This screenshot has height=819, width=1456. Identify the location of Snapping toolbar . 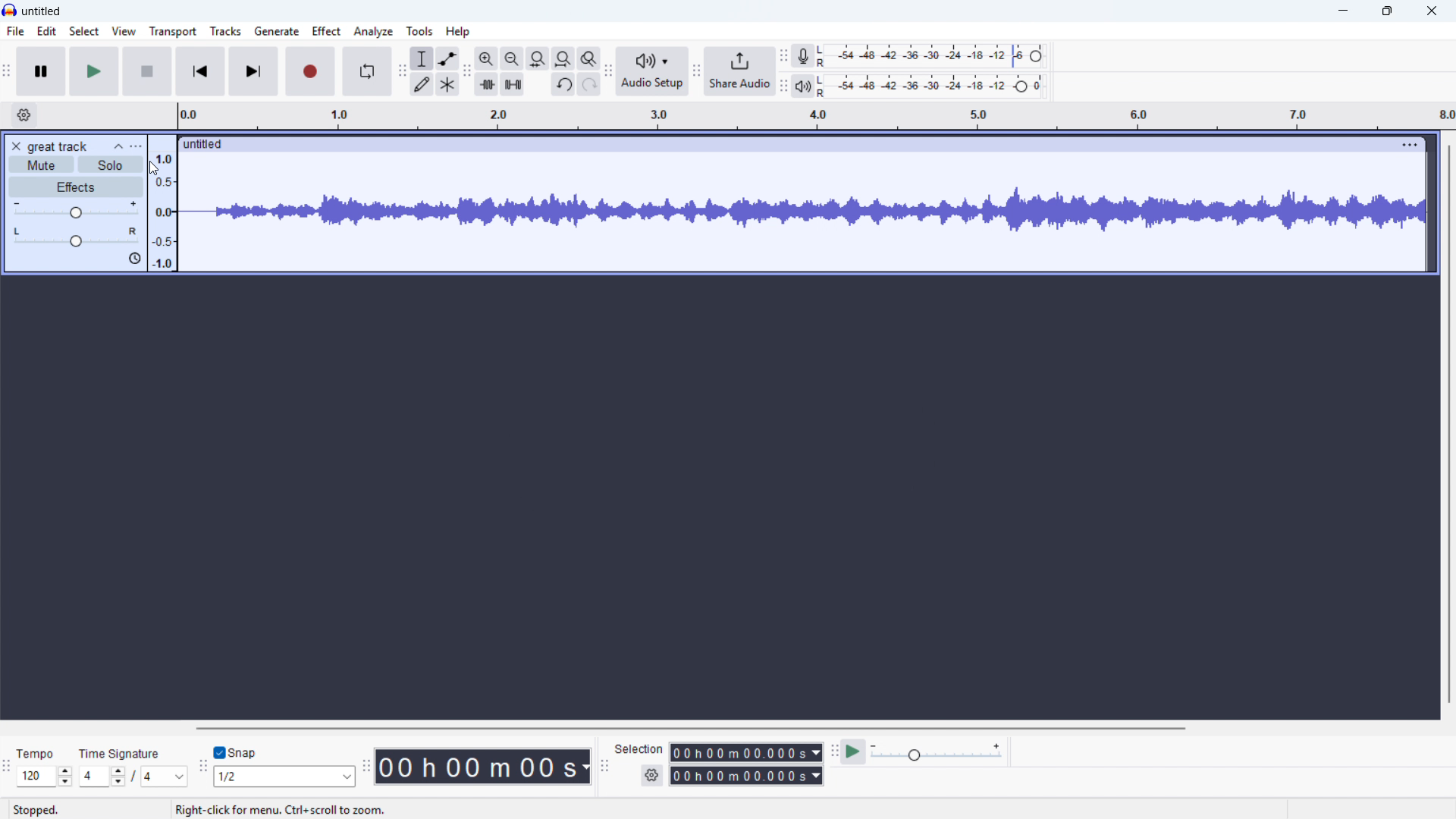
(202, 767).